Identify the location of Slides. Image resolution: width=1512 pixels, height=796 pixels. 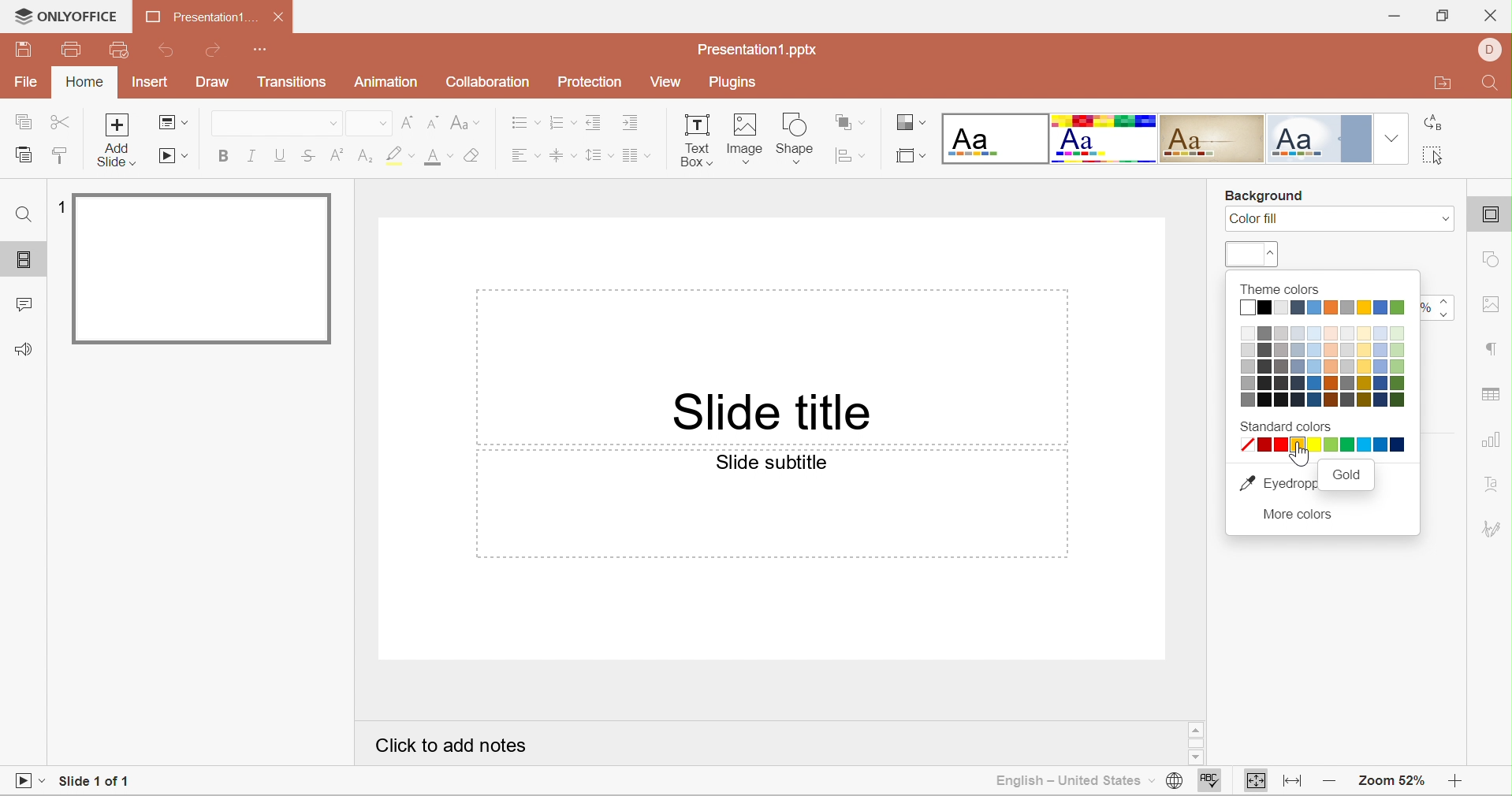
(24, 260).